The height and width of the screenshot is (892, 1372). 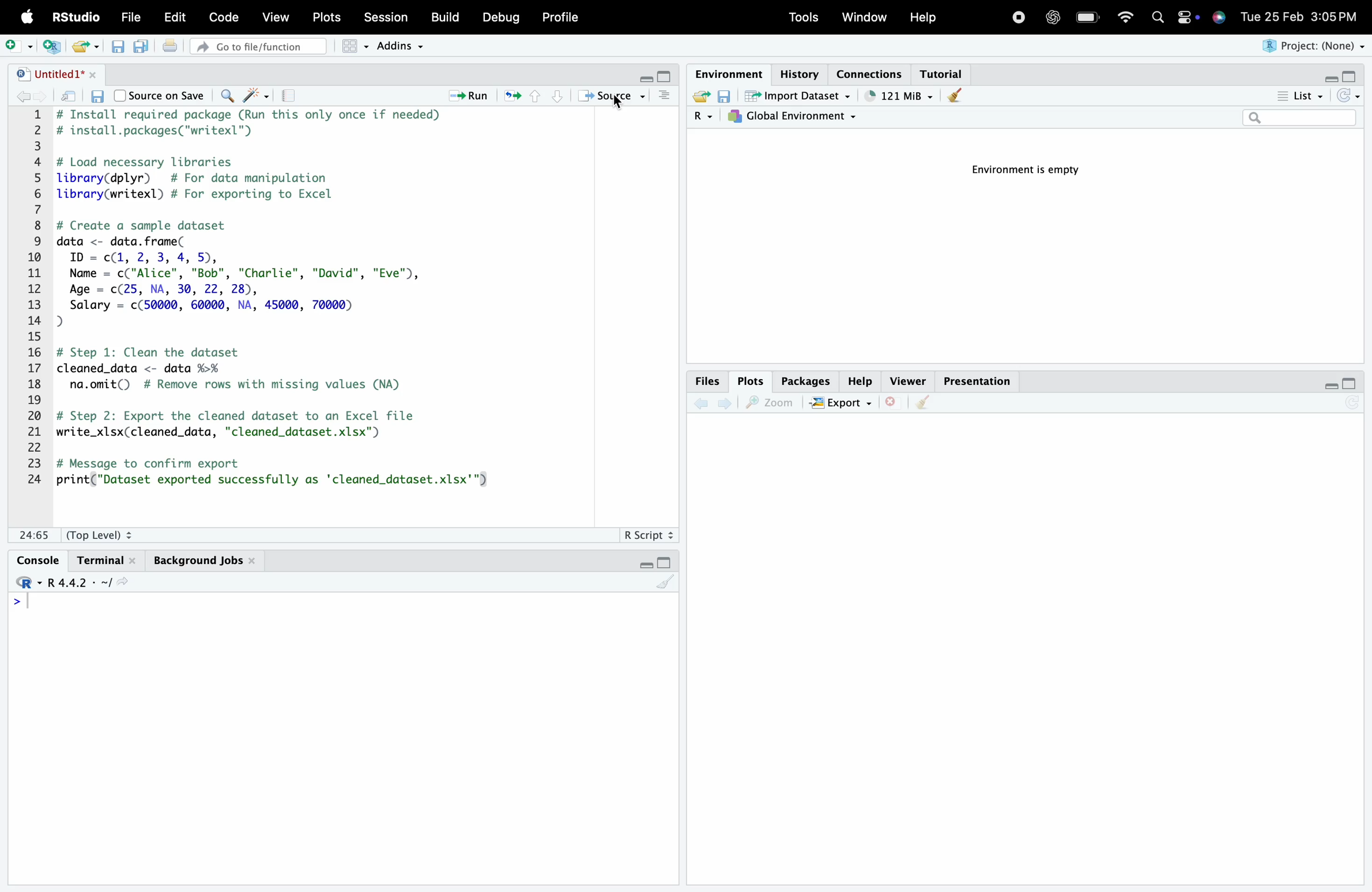 I want to click on Export, so click(x=845, y=402).